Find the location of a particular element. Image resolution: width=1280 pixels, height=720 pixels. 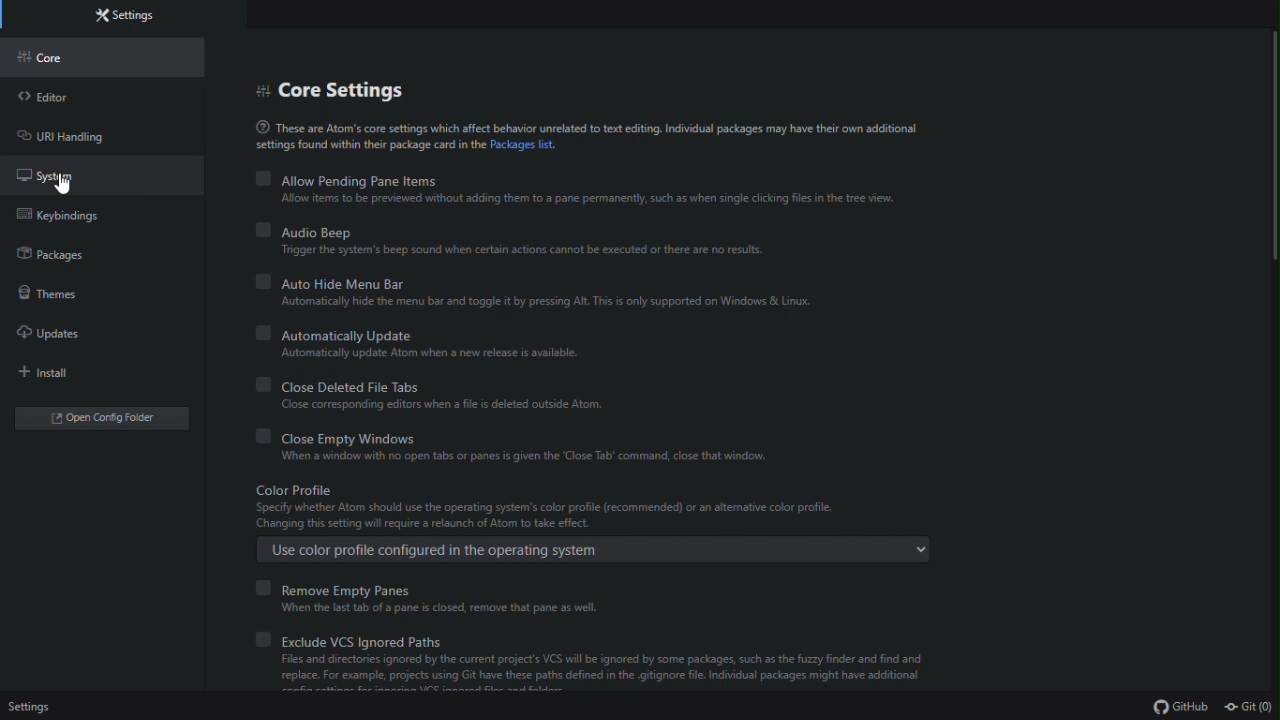

Automatically hide menu bar is located at coordinates (567, 280).